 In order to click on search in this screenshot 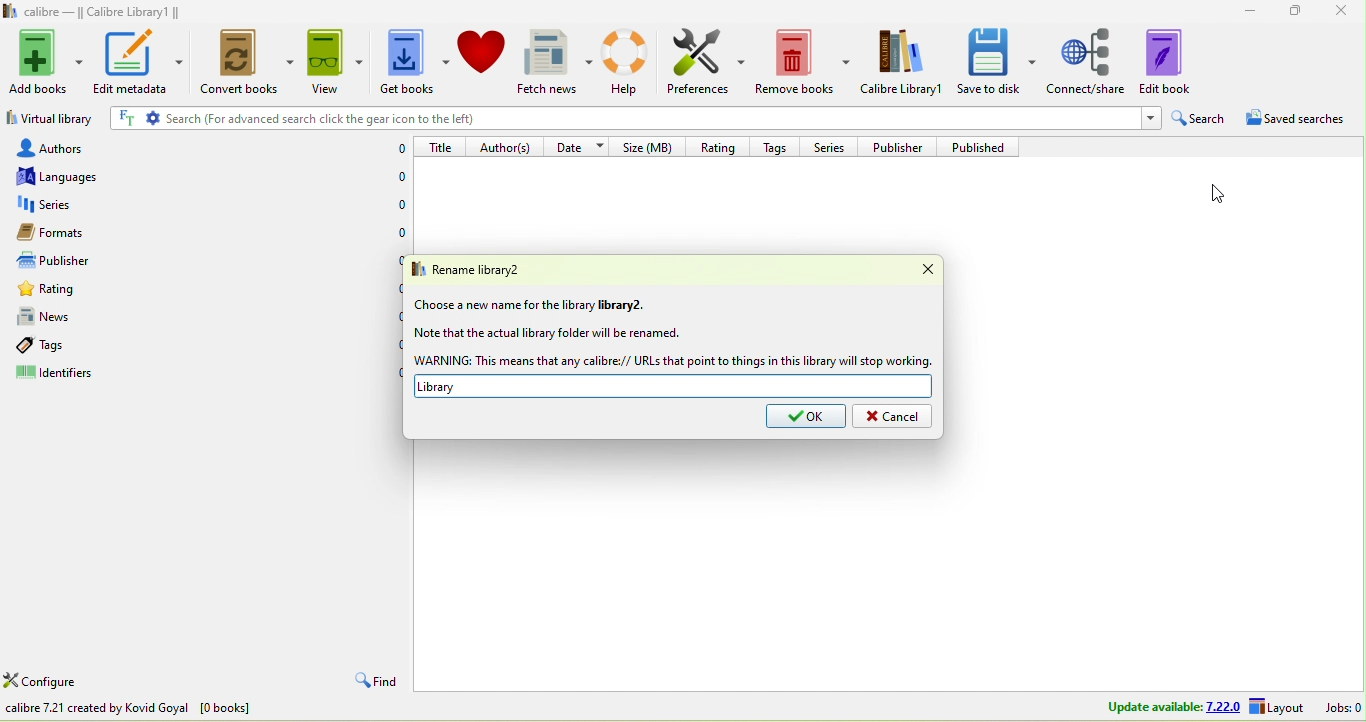, I will do `click(1200, 119)`.